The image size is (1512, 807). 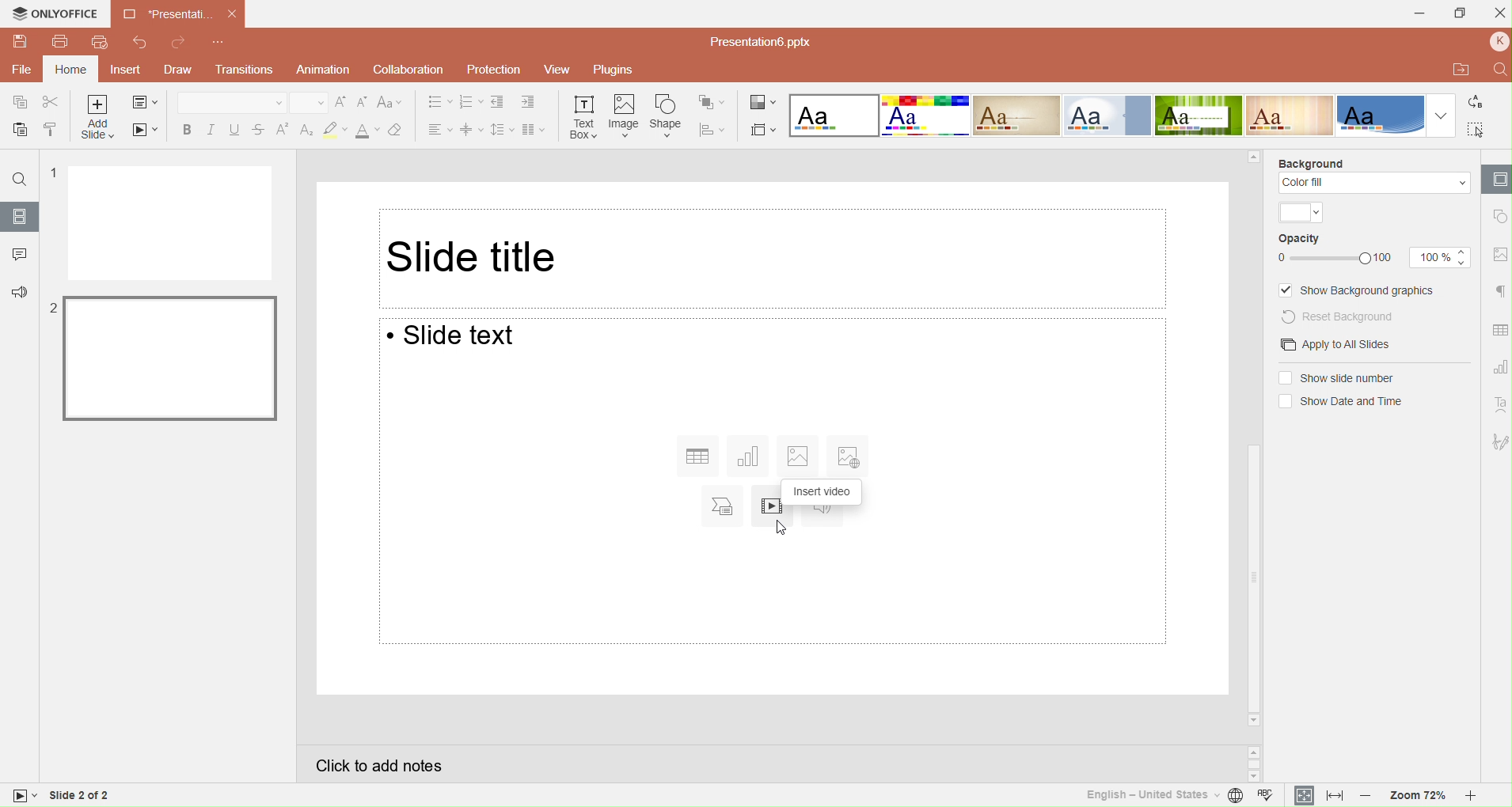 What do you see at coordinates (926, 115) in the screenshot?
I see `Basic` at bounding box center [926, 115].